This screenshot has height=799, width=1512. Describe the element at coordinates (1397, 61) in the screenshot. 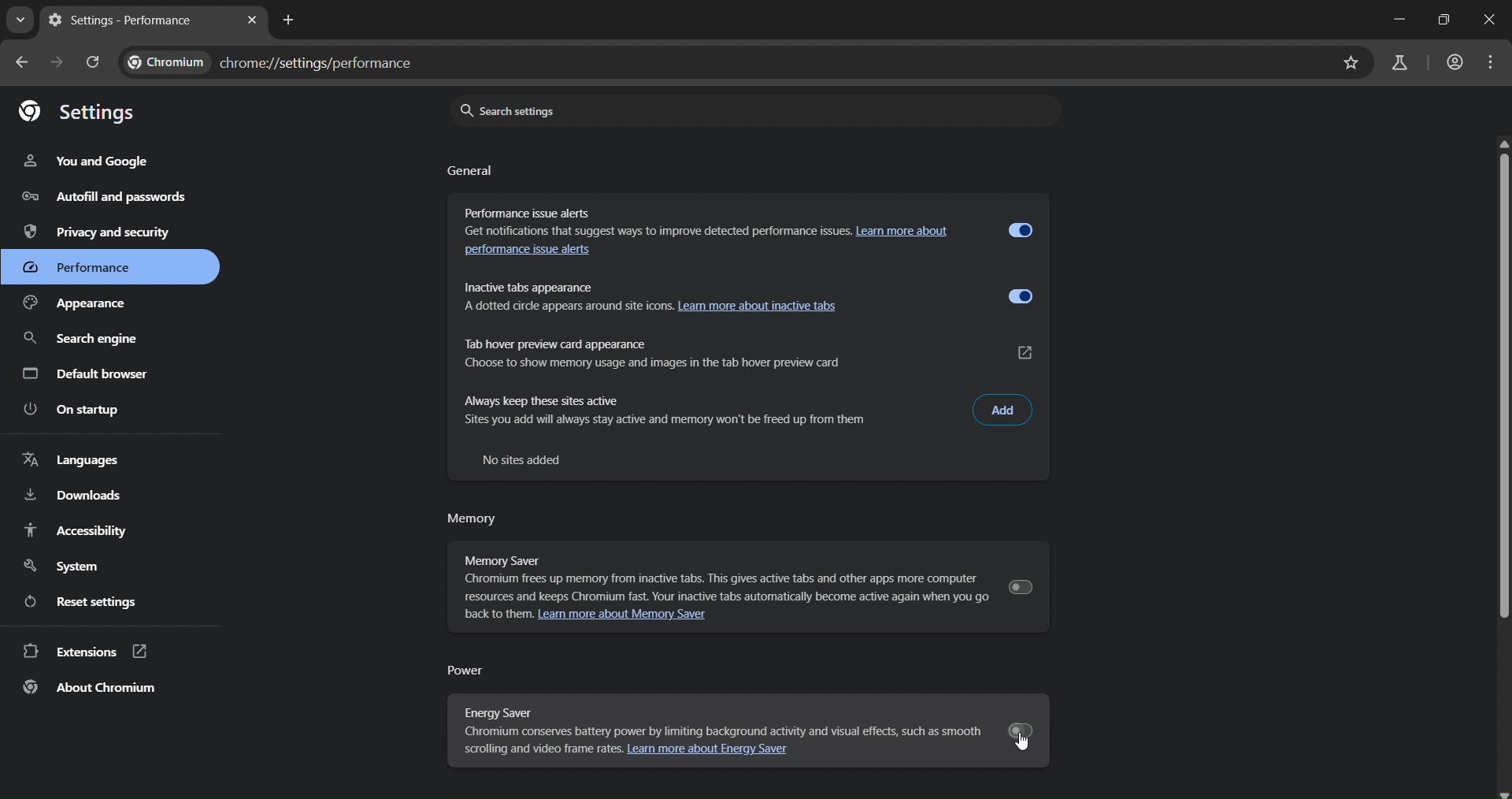

I see `search labs` at that location.